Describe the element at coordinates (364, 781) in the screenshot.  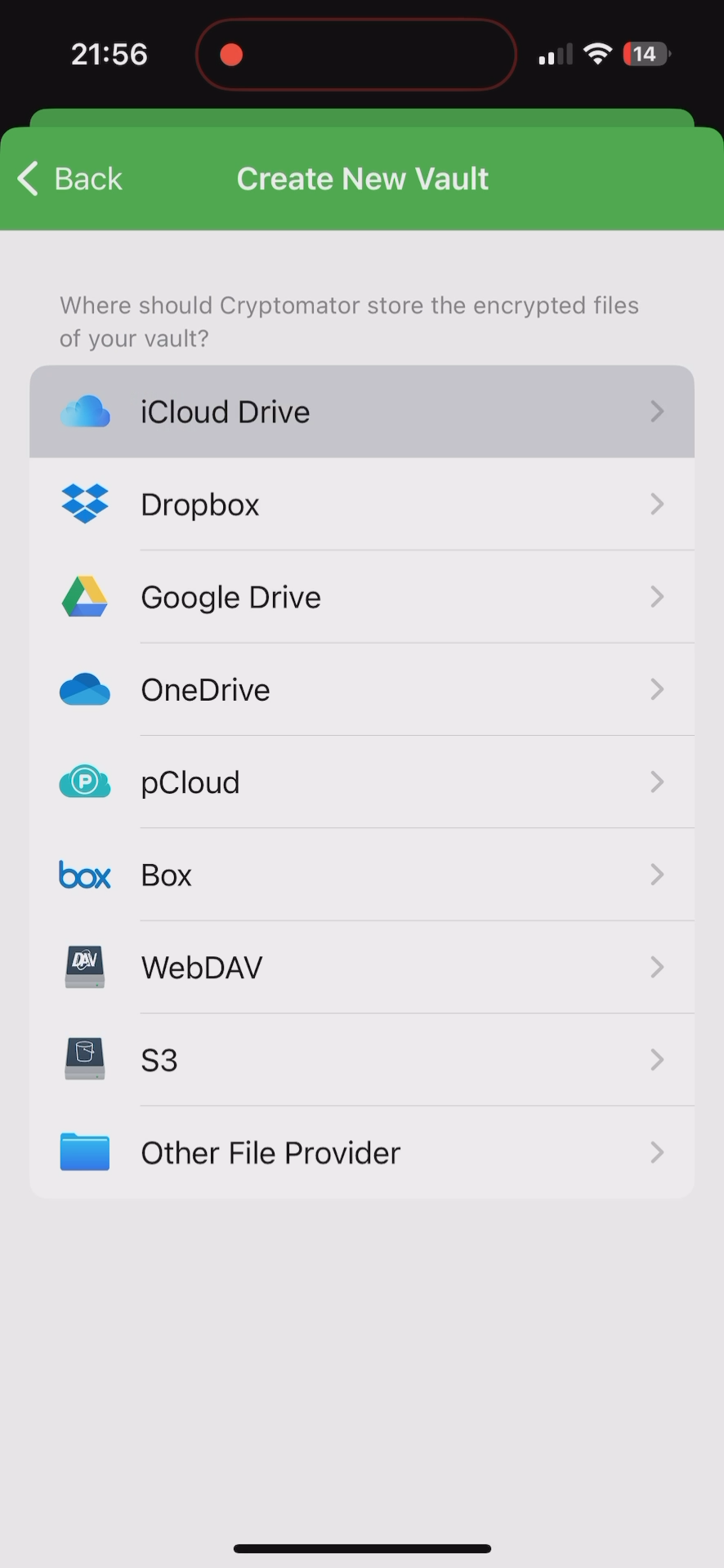
I see `pcloud` at that location.